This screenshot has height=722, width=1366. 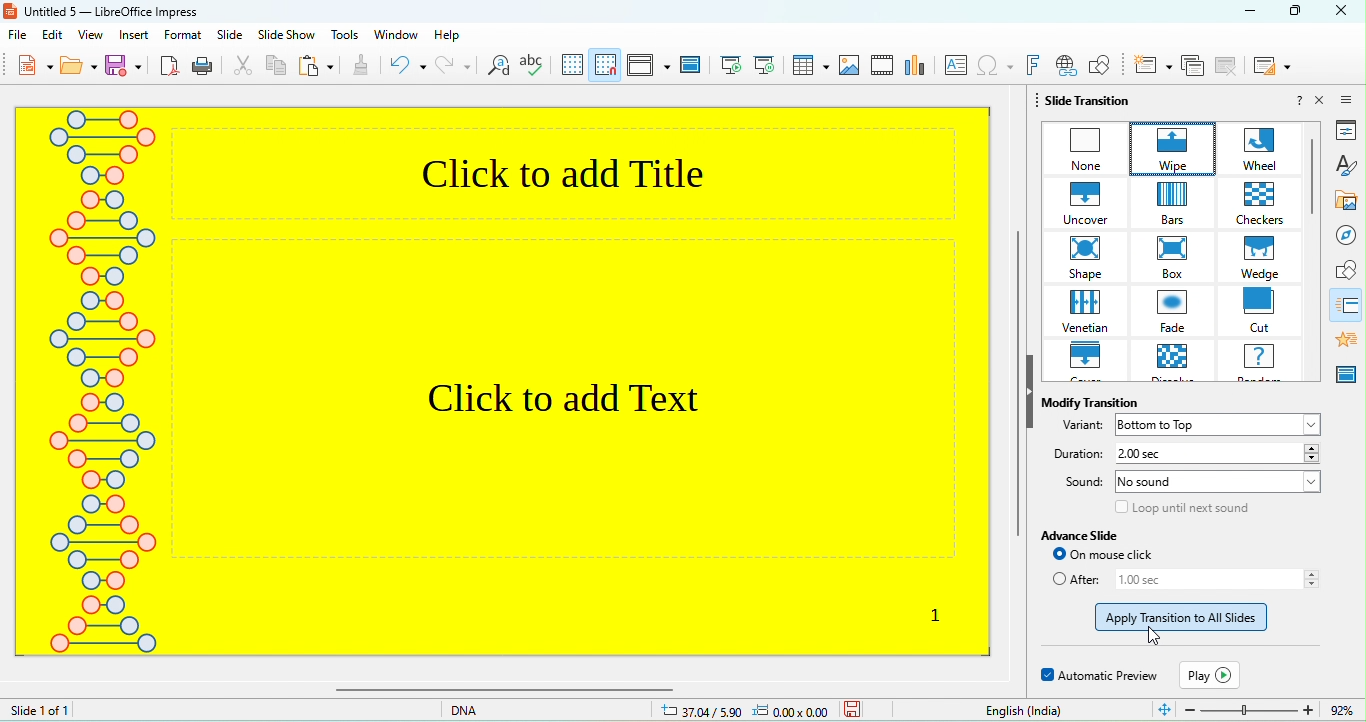 I want to click on find and replace, so click(x=498, y=68).